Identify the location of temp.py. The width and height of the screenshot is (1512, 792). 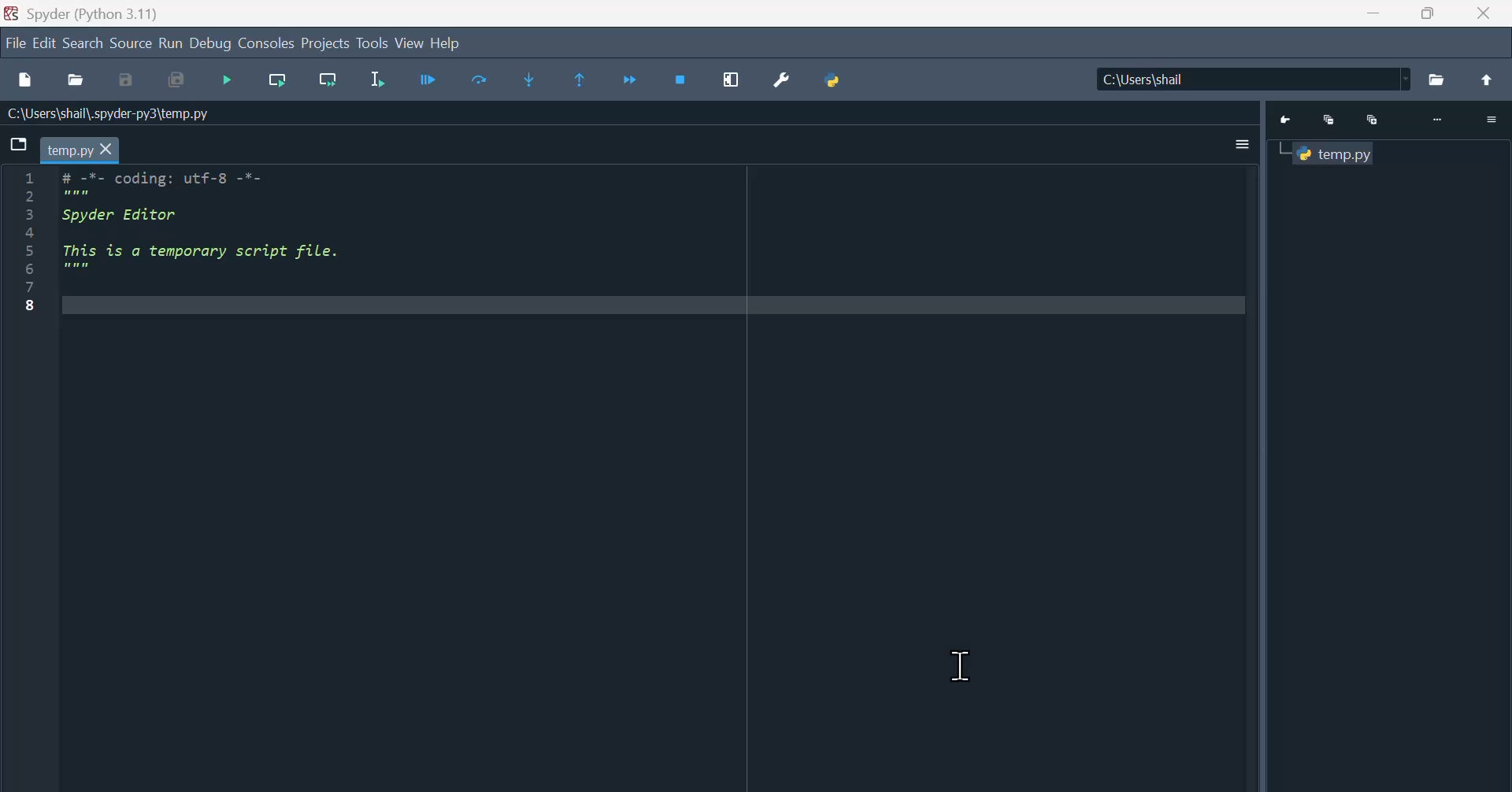
(80, 149).